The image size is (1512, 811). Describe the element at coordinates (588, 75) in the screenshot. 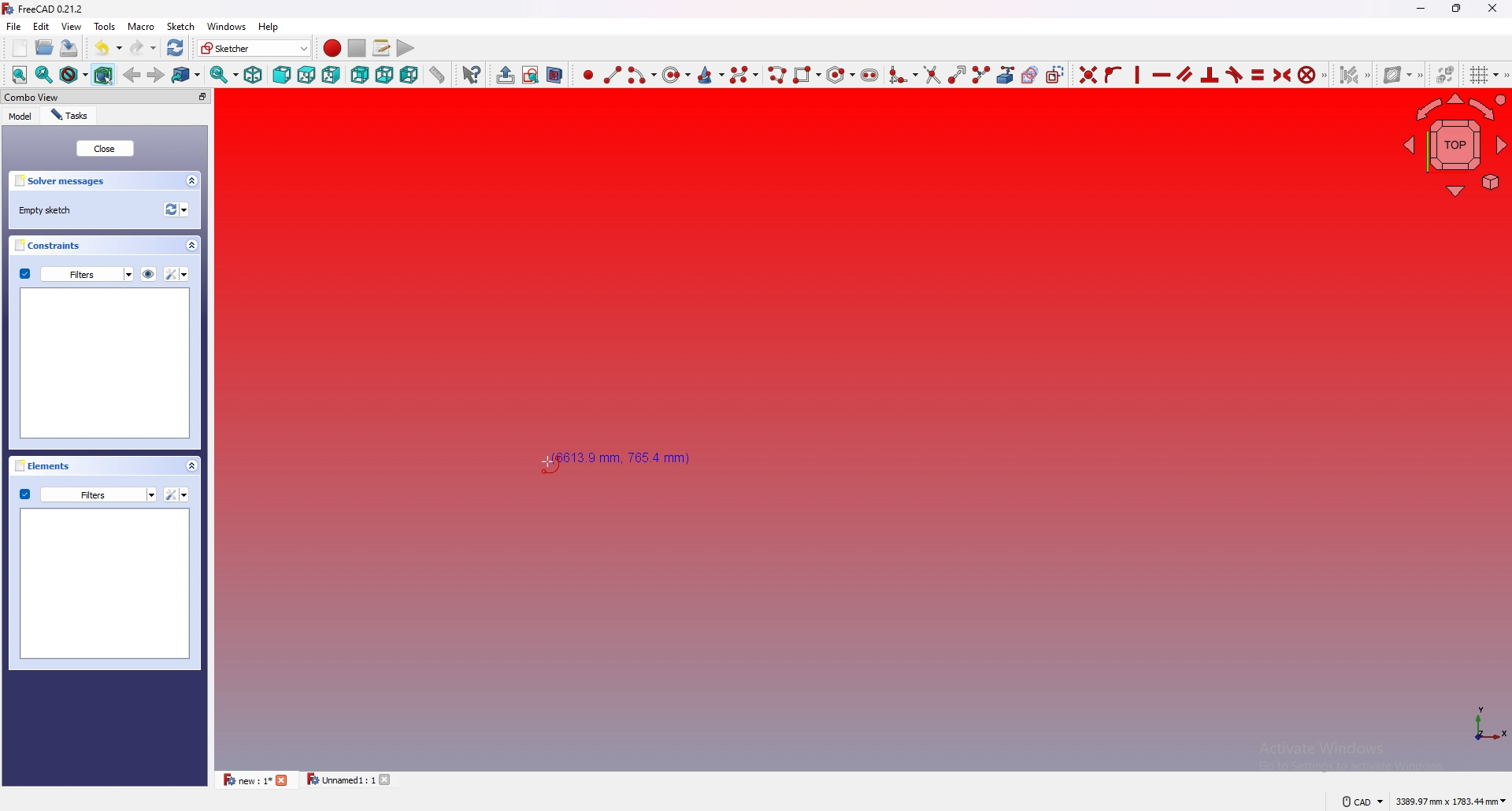

I see `create point` at that location.